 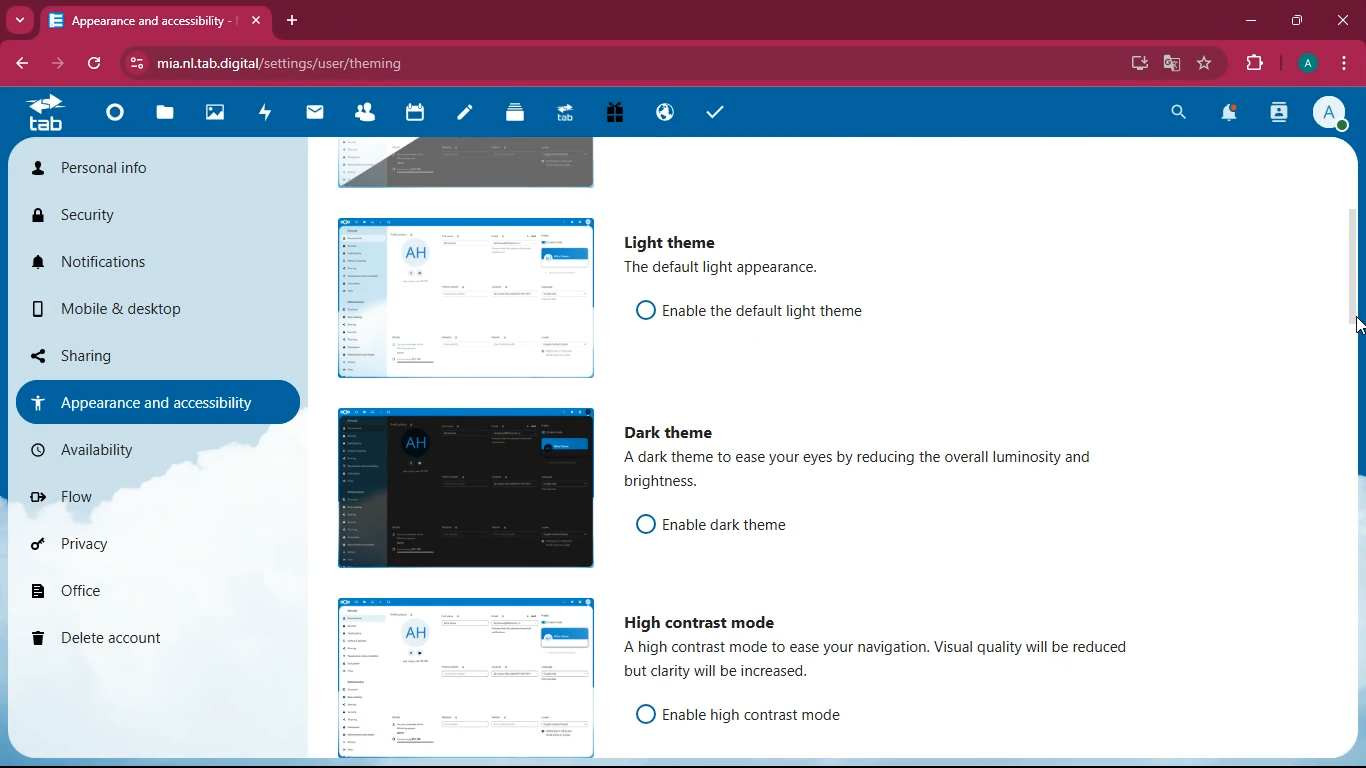 I want to click on scroll bar, so click(x=1357, y=336).